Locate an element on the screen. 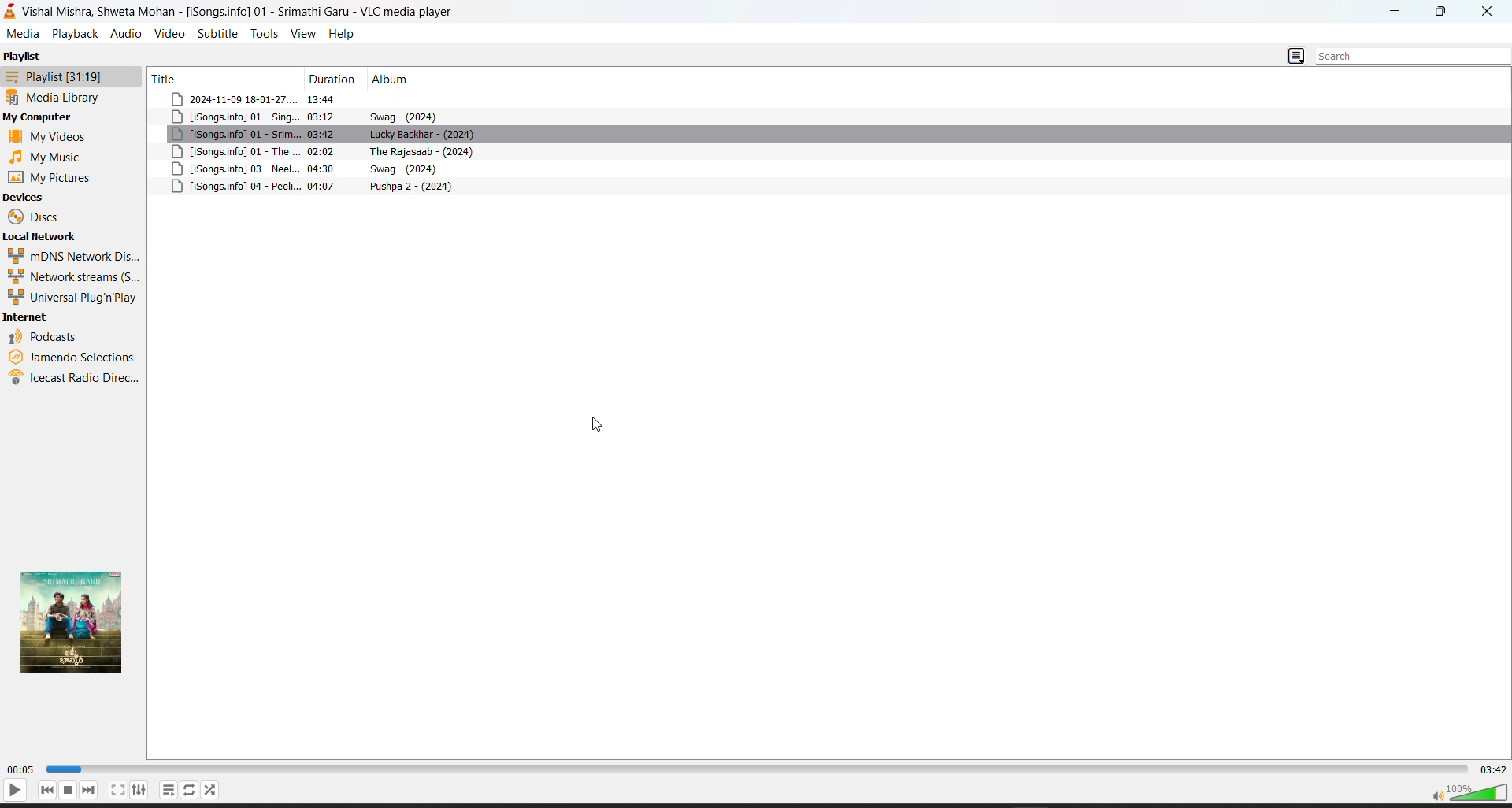 The height and width of the screenshot is (808, 1512). local network is located at coordinates (42, 236).